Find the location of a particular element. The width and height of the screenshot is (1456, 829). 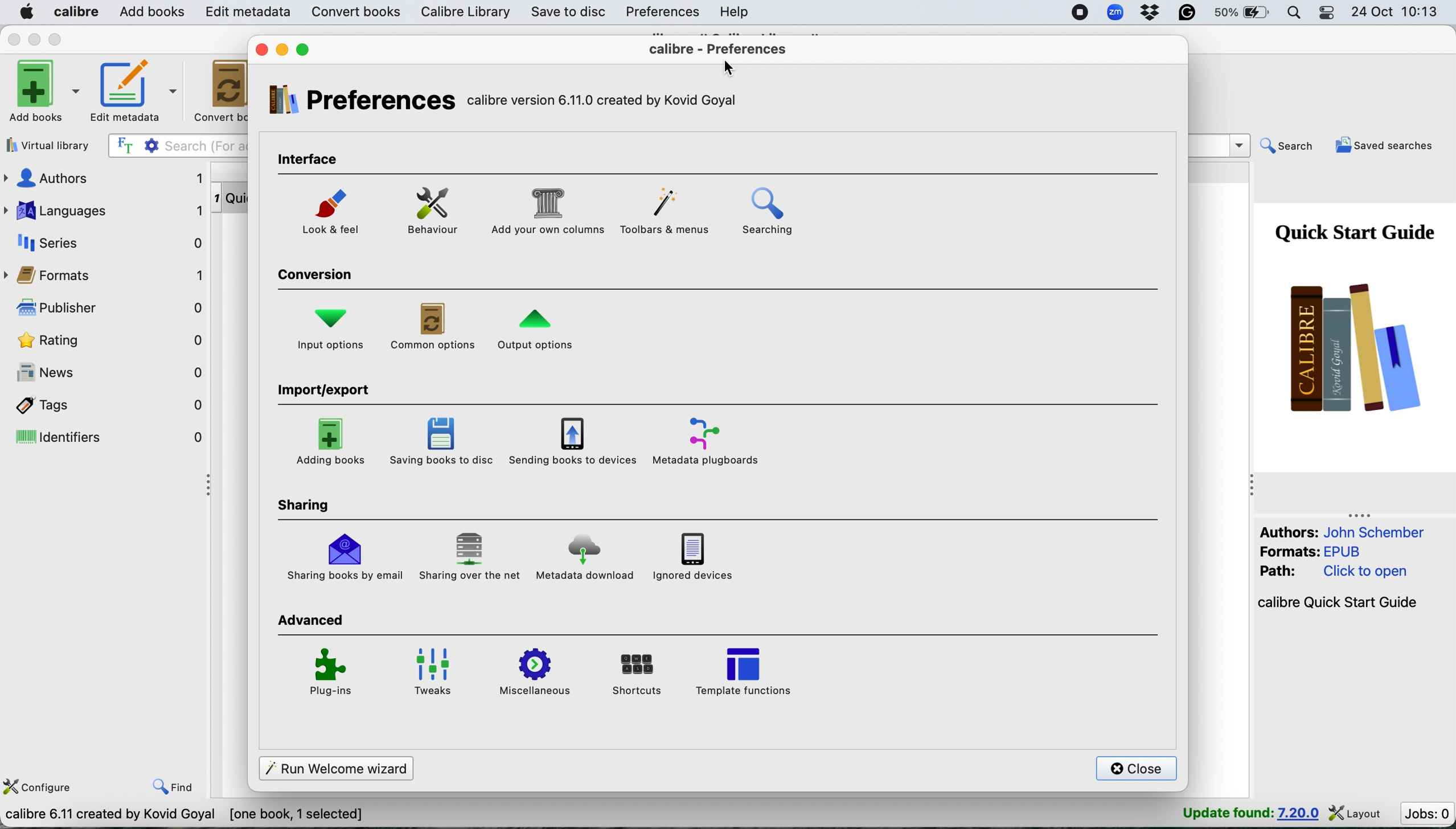

maximise is located at coordinates (306, 50).